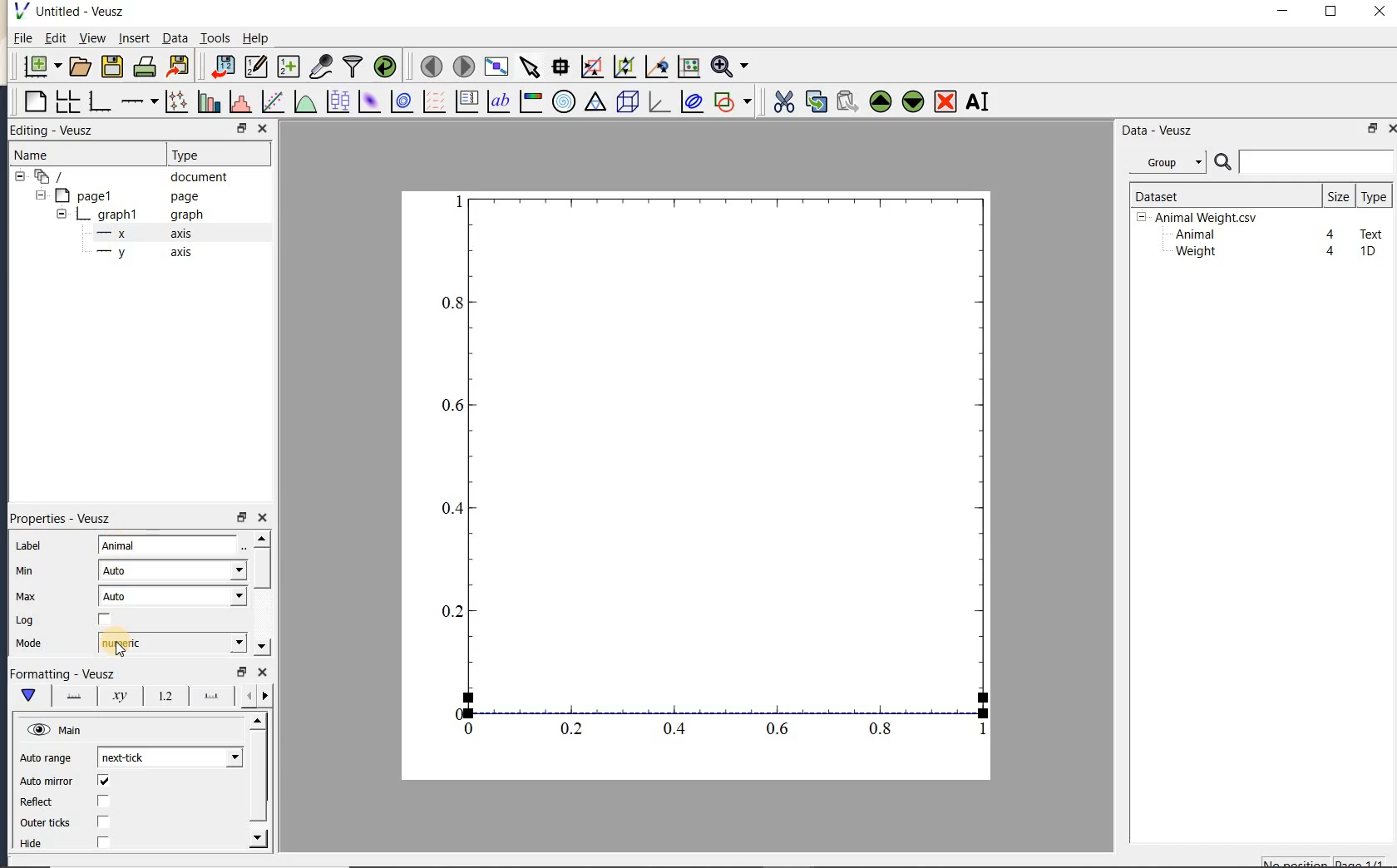 This screenshot has height=868, width=1397. What do you see at coordinates (223, 67) in the screenshot?
I see `import data into Veusz` at bounding box center [223, 67].